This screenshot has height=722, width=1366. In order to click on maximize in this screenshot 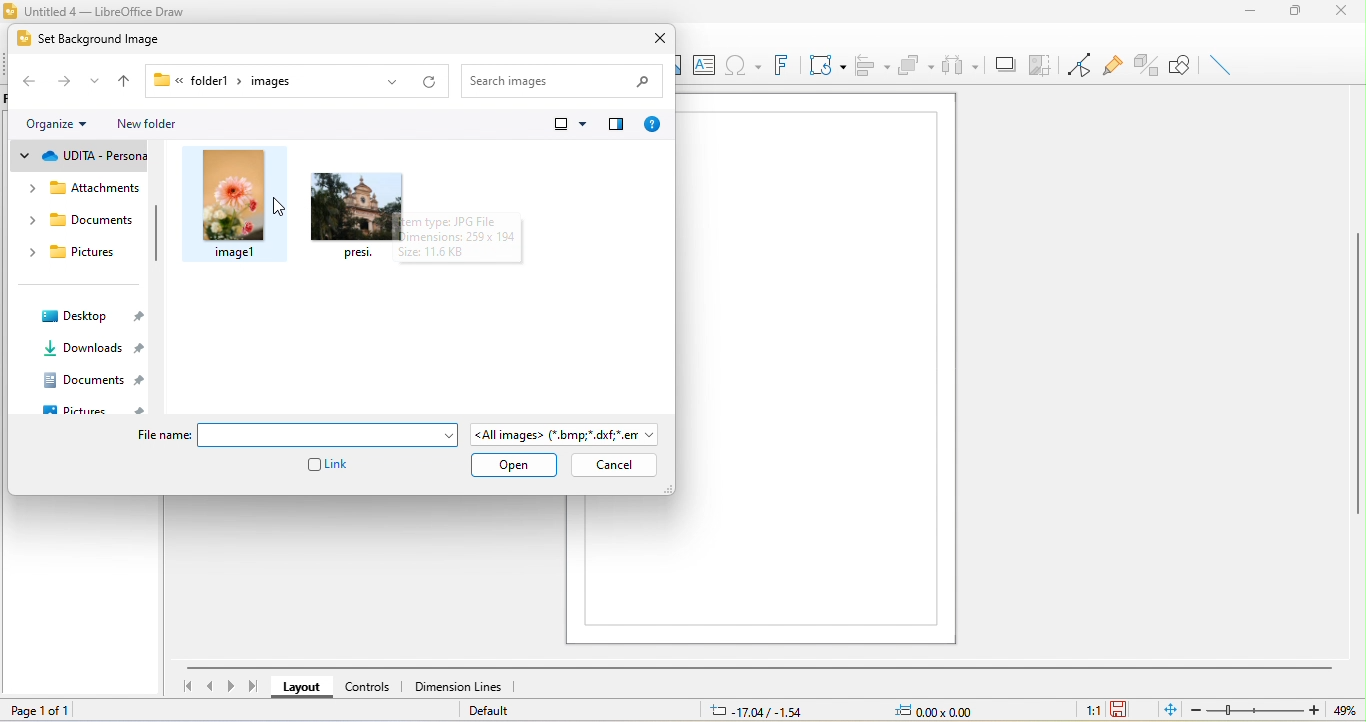, I will do `click(1299, 13)`.